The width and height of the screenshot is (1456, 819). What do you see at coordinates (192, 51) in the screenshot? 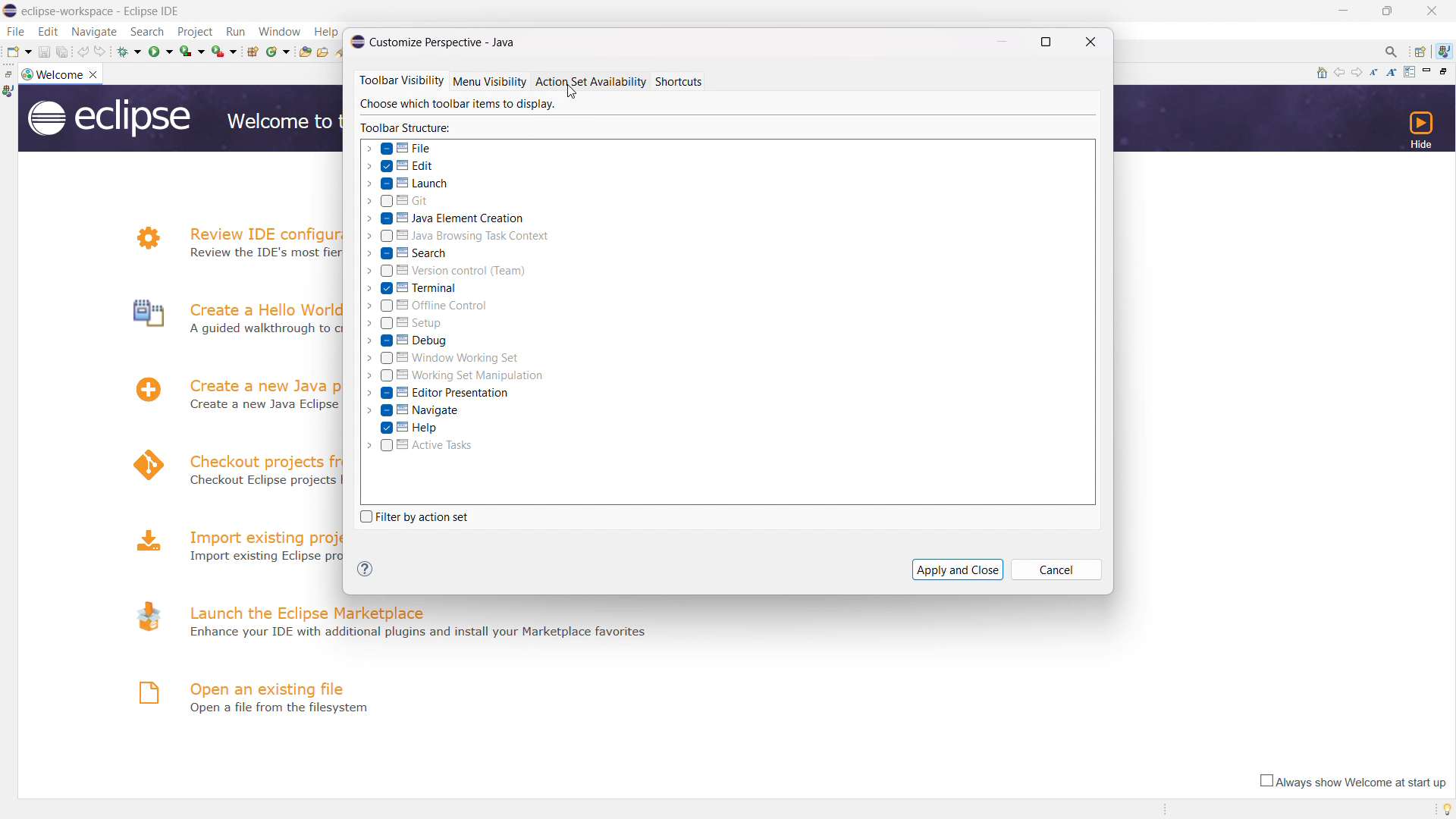
I see `coverage` at bounding box center [192, 51].